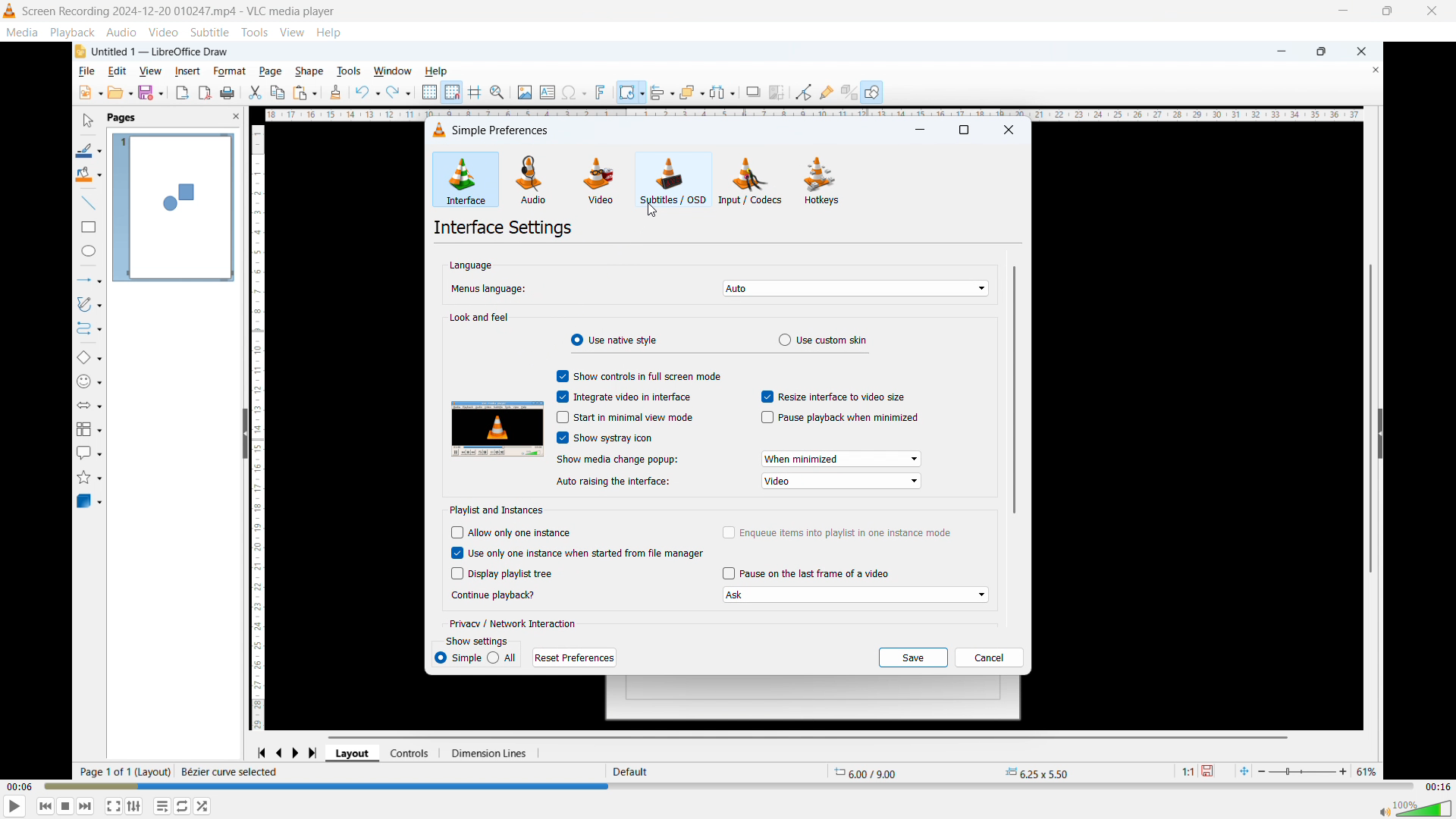  Describe the element at coordinates (1411, 808) in the screenshot. I see `Sound bar ` at that location.